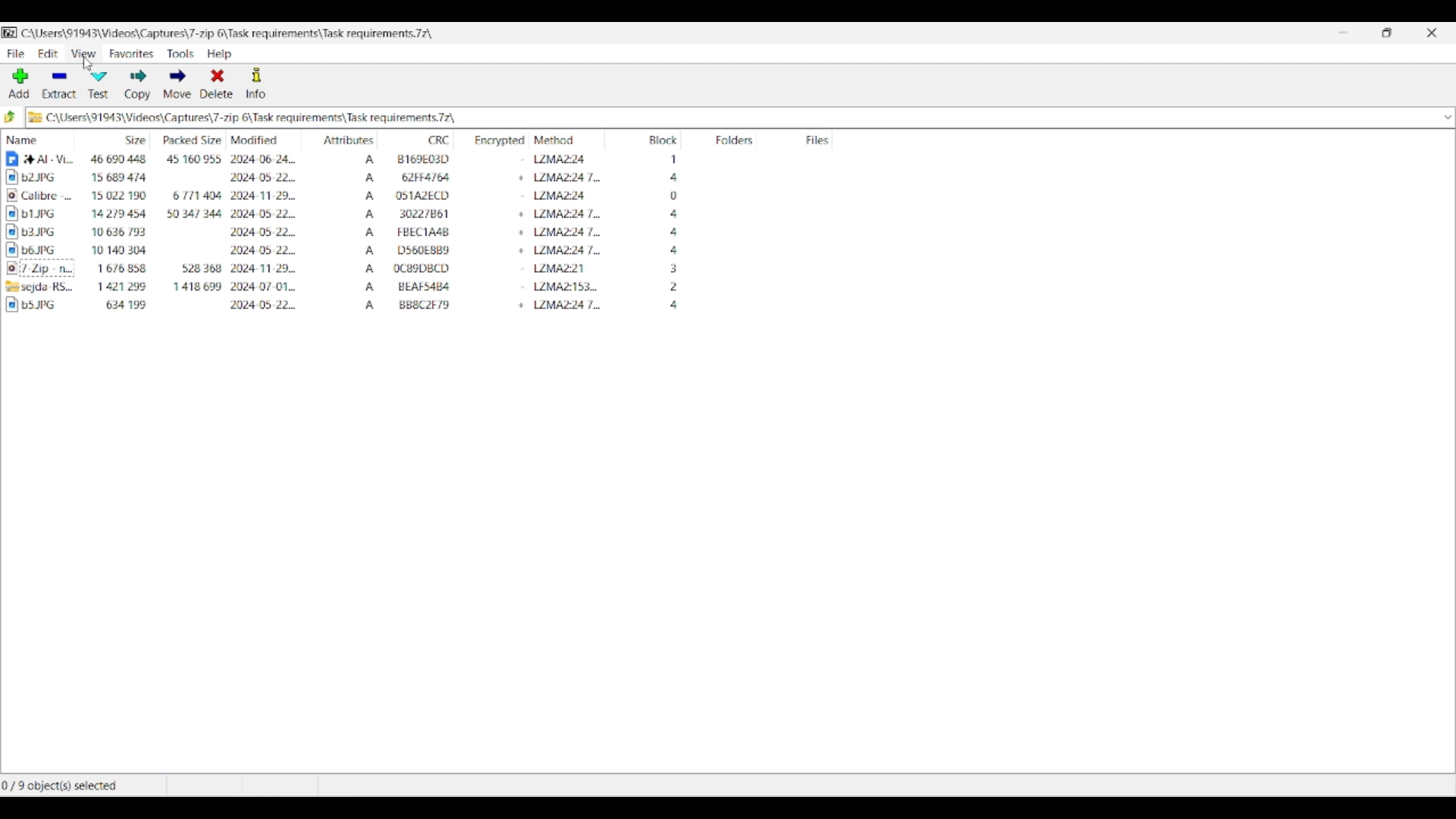 The width and height of the screenshot is (1456, 819). Describe the element at coordinates (217, 83) in the screenshot. I see `Delete` at that location.